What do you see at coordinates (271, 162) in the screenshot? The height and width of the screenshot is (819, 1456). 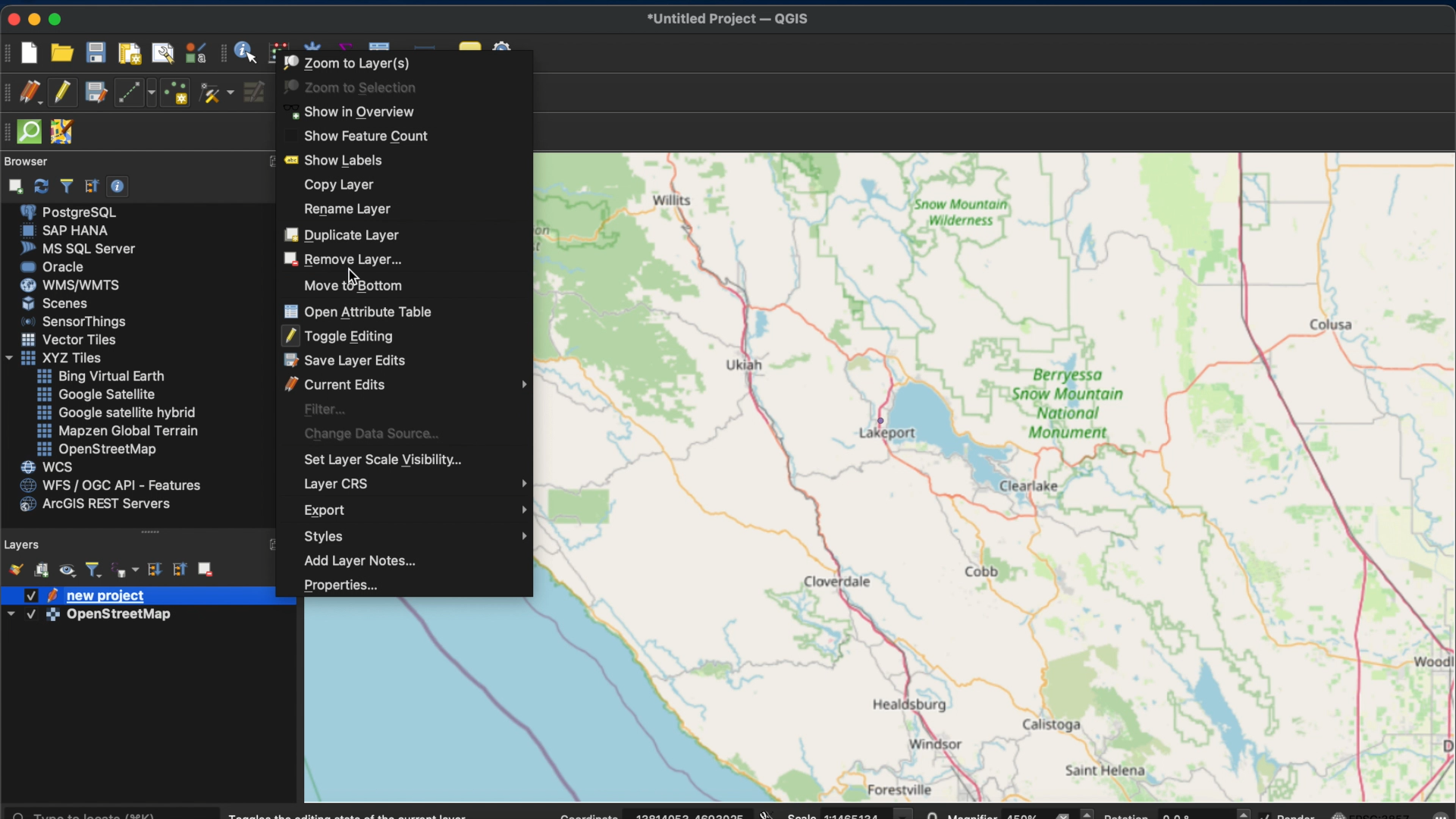 I see `expand` at bounding box center [271, 162].